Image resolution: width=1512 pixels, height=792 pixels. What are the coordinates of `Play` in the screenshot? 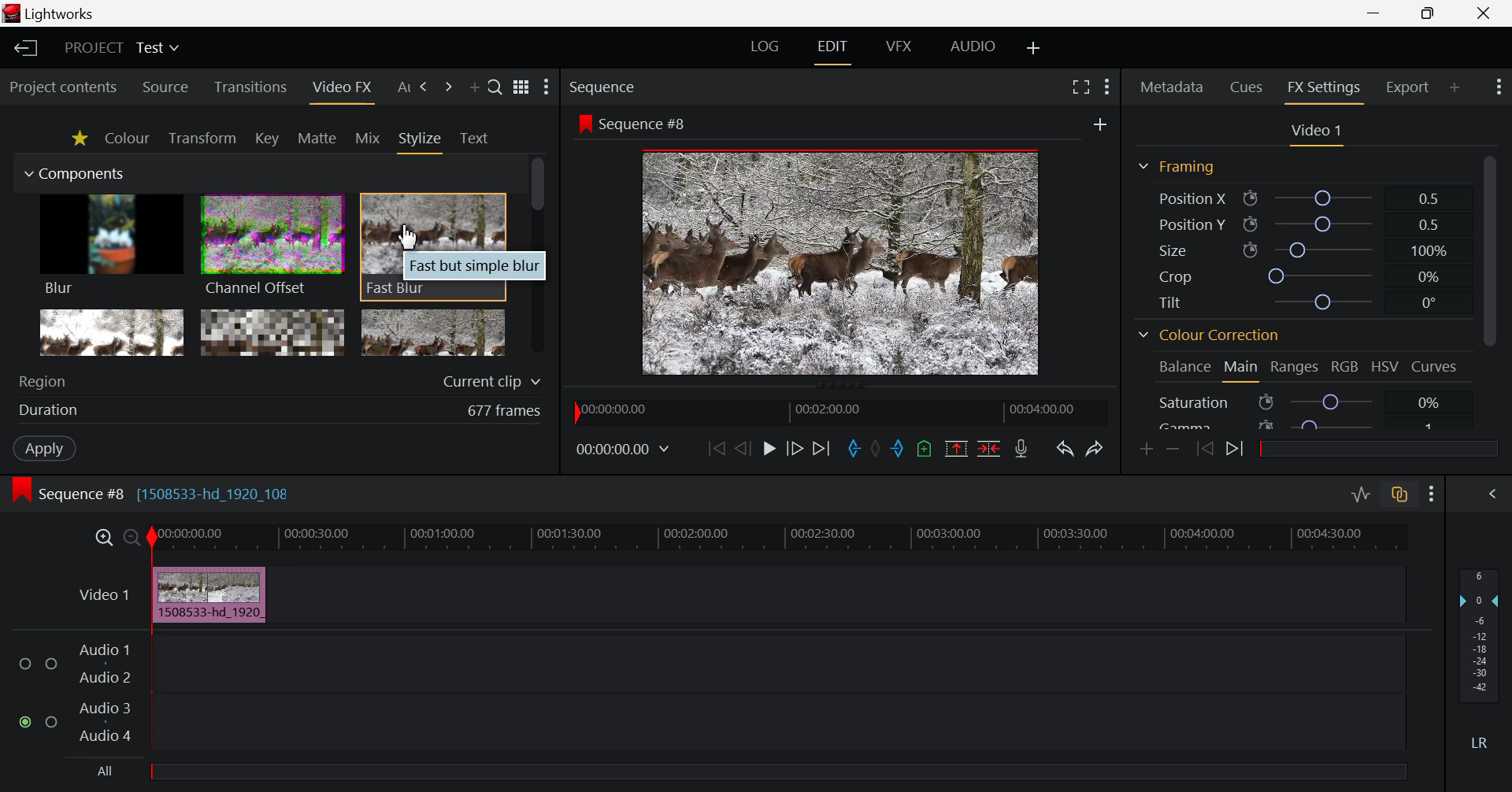 It's located at (767, 451).